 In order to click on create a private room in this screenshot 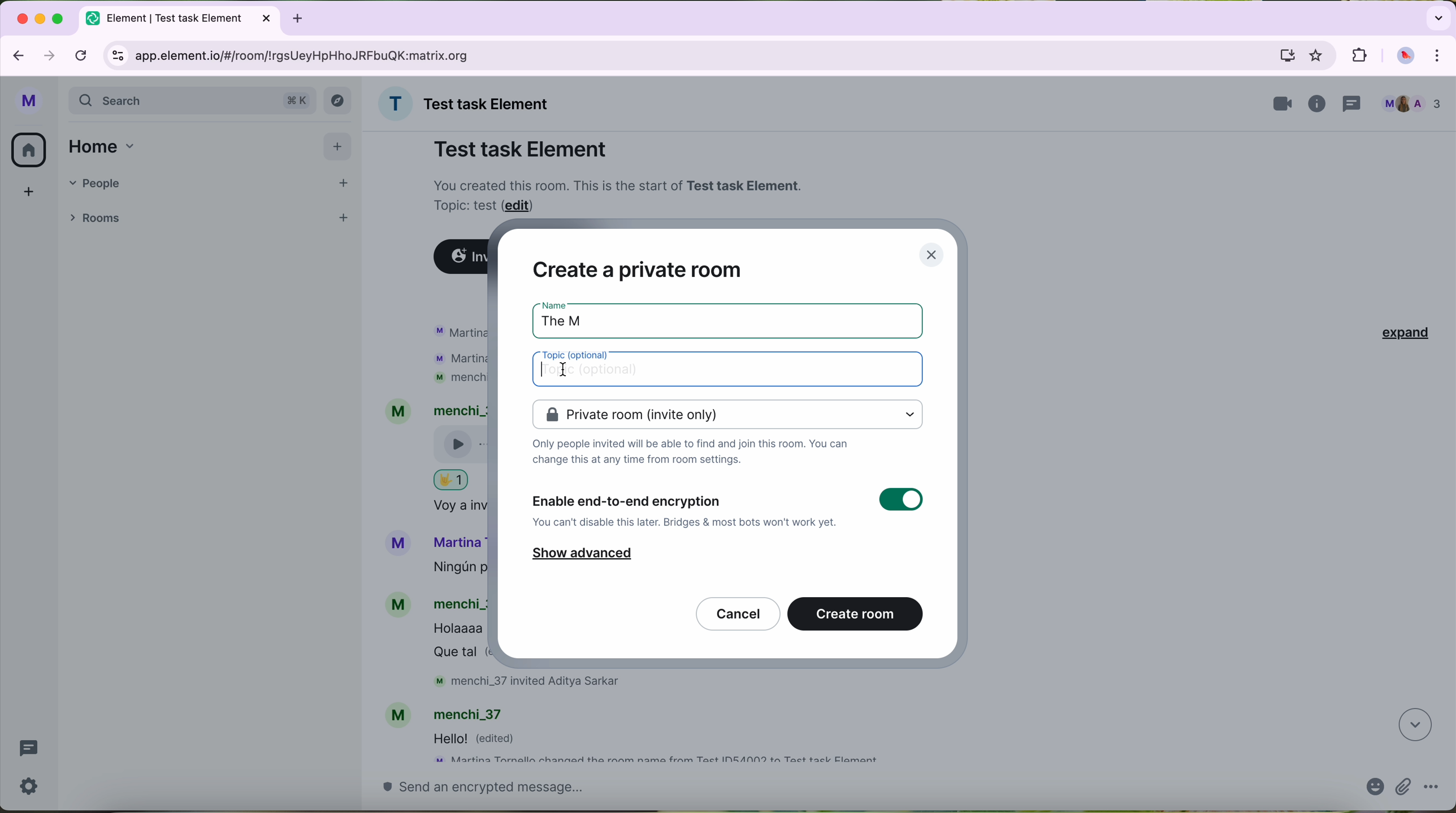, I will do `click(637, 268)`.